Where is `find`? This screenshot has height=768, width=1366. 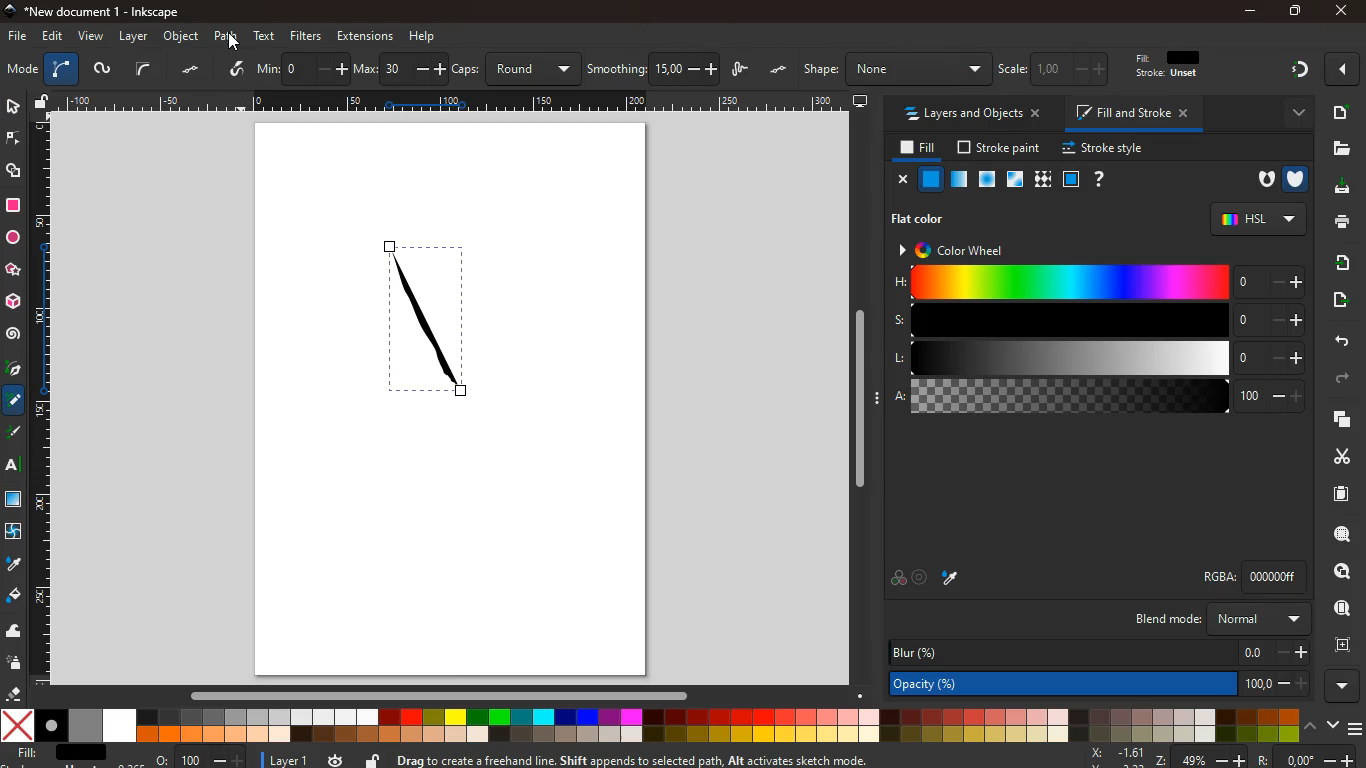
find is located at coordinates (1342, 534).